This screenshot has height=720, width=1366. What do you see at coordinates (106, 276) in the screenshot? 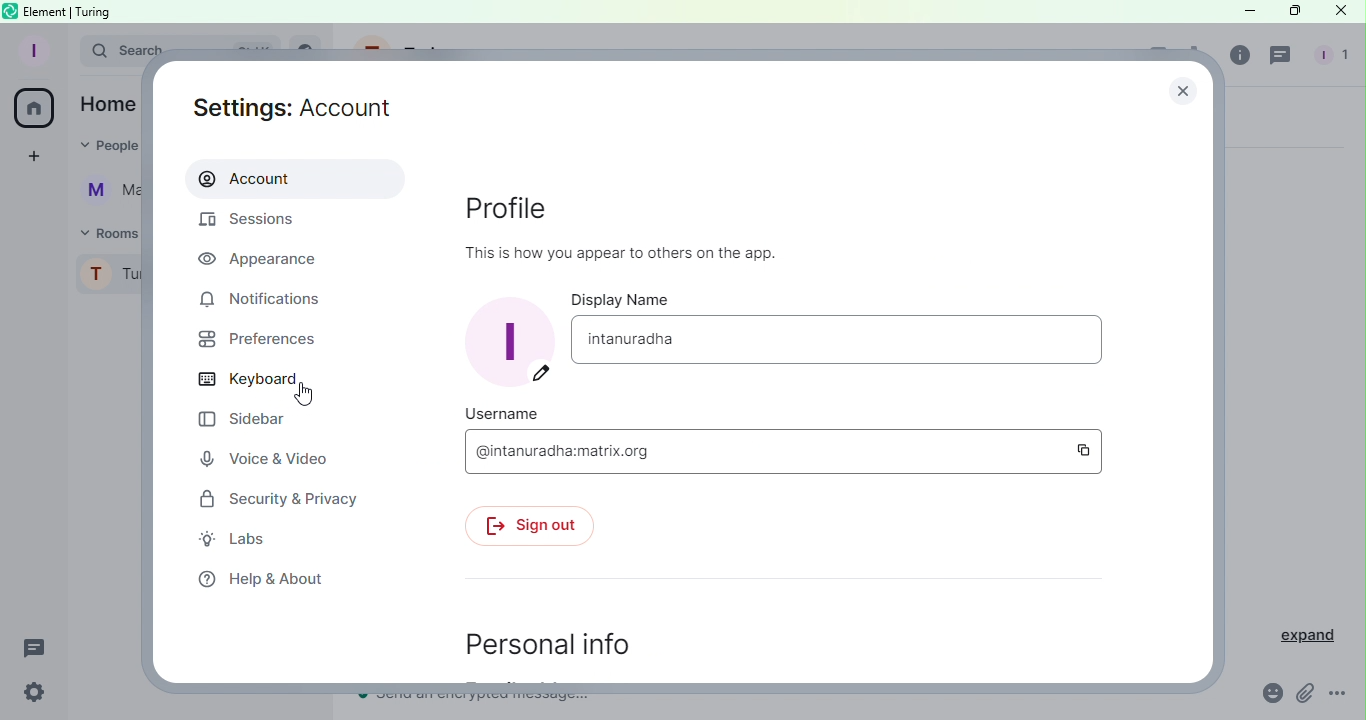
I see `Profile` at bounding box center [106, 276].